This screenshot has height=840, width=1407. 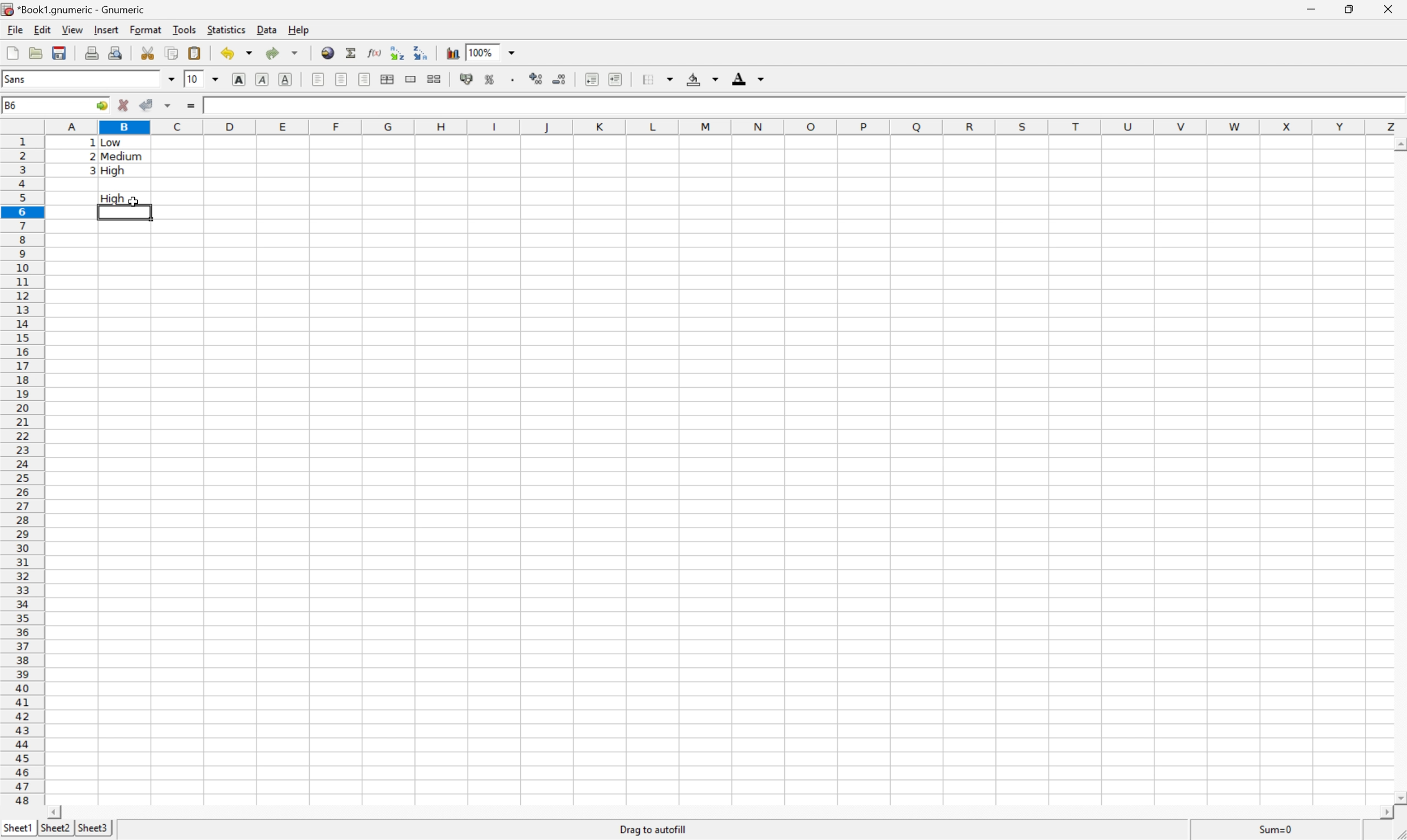 I want to click on *Book1.gnumeric - Gnumeric, so click(x=76, y=10).